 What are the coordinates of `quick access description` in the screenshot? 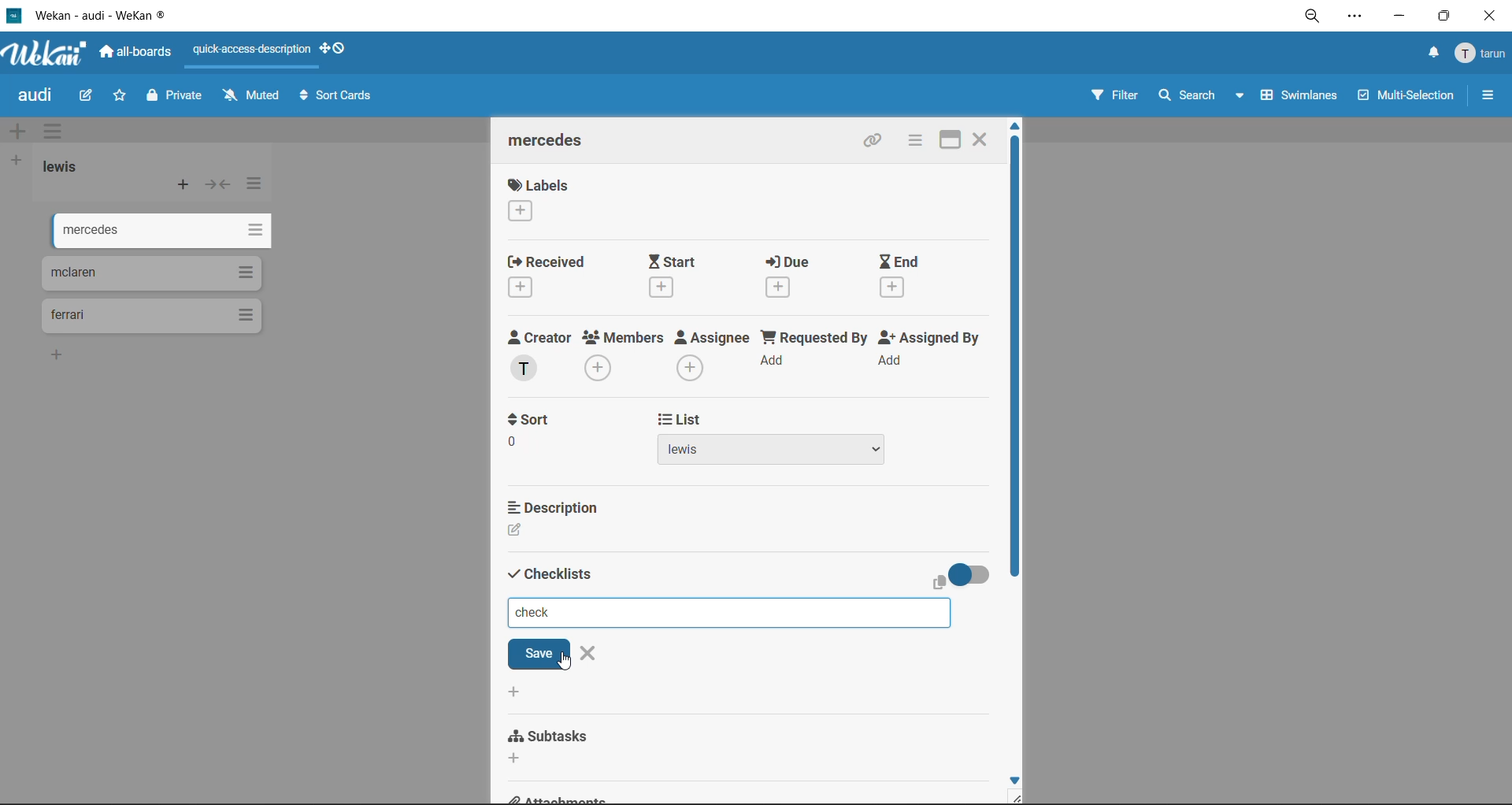 It's located at (256, 50).